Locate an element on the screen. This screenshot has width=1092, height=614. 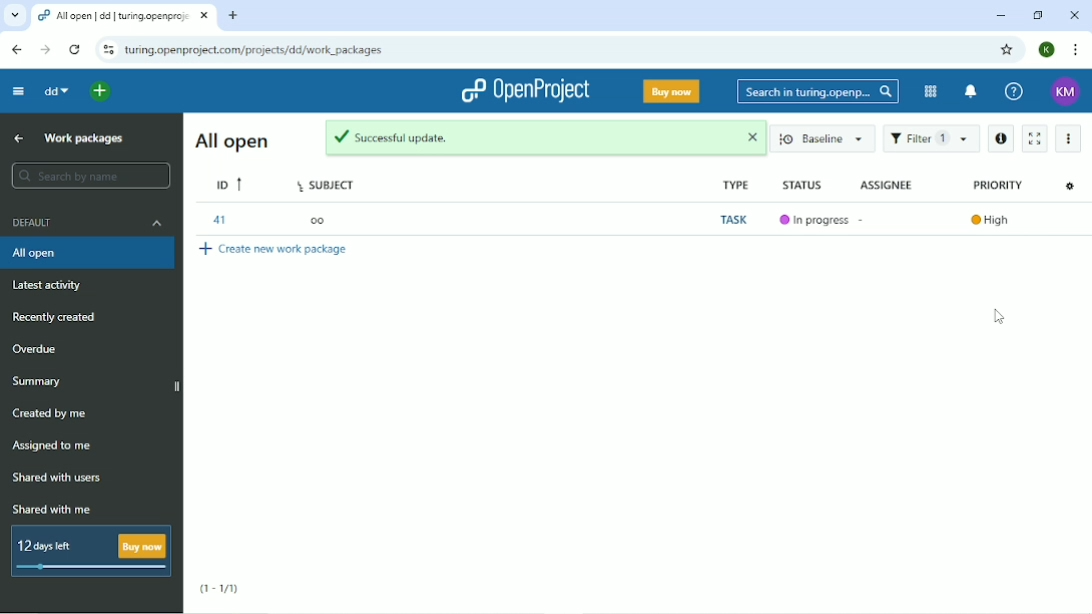
Work packages is located at coordinates (87, 138).